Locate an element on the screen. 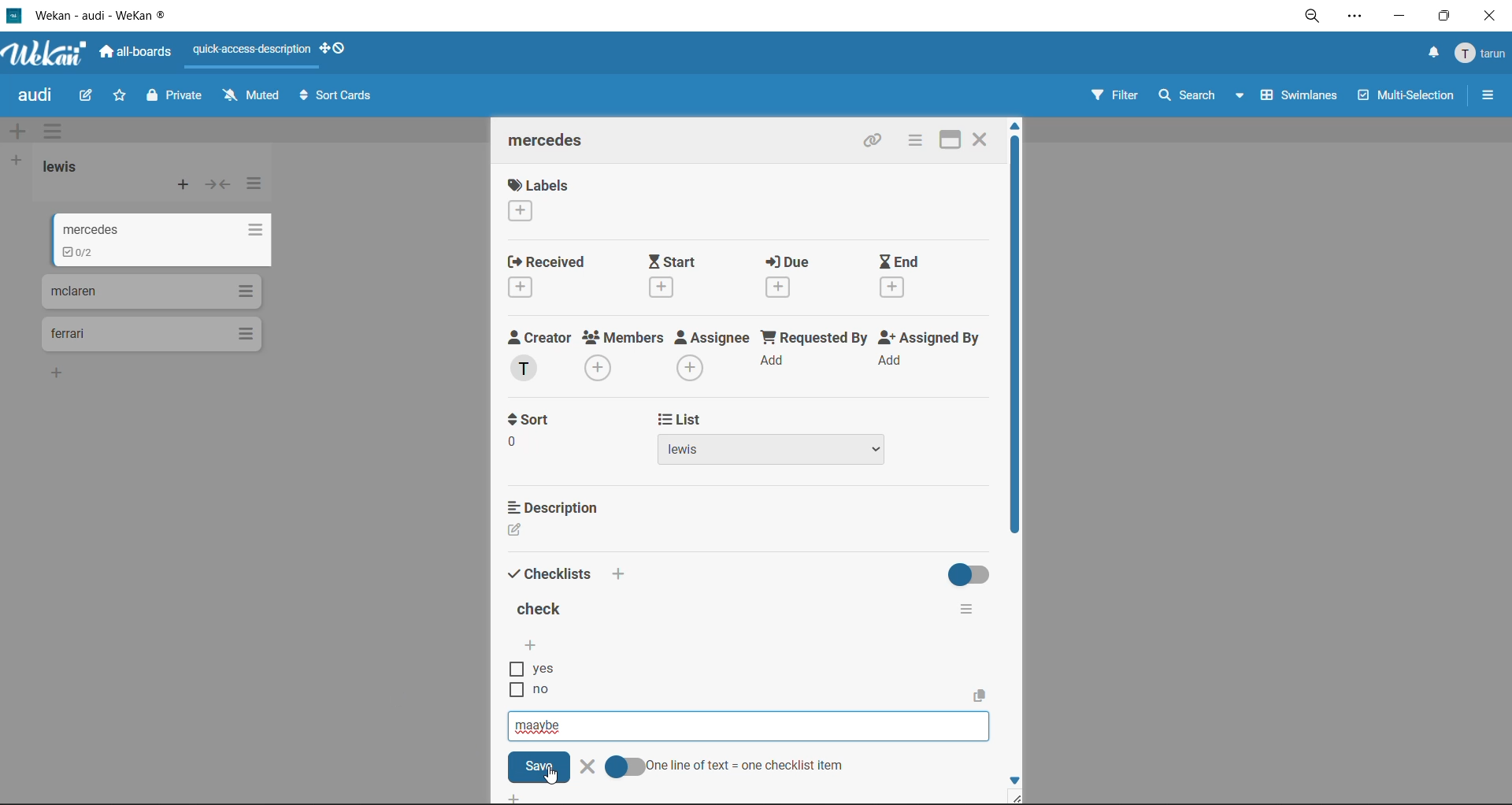 The width and height of the screenshot is (1512, 805). label is located at coordinates (541, 184).